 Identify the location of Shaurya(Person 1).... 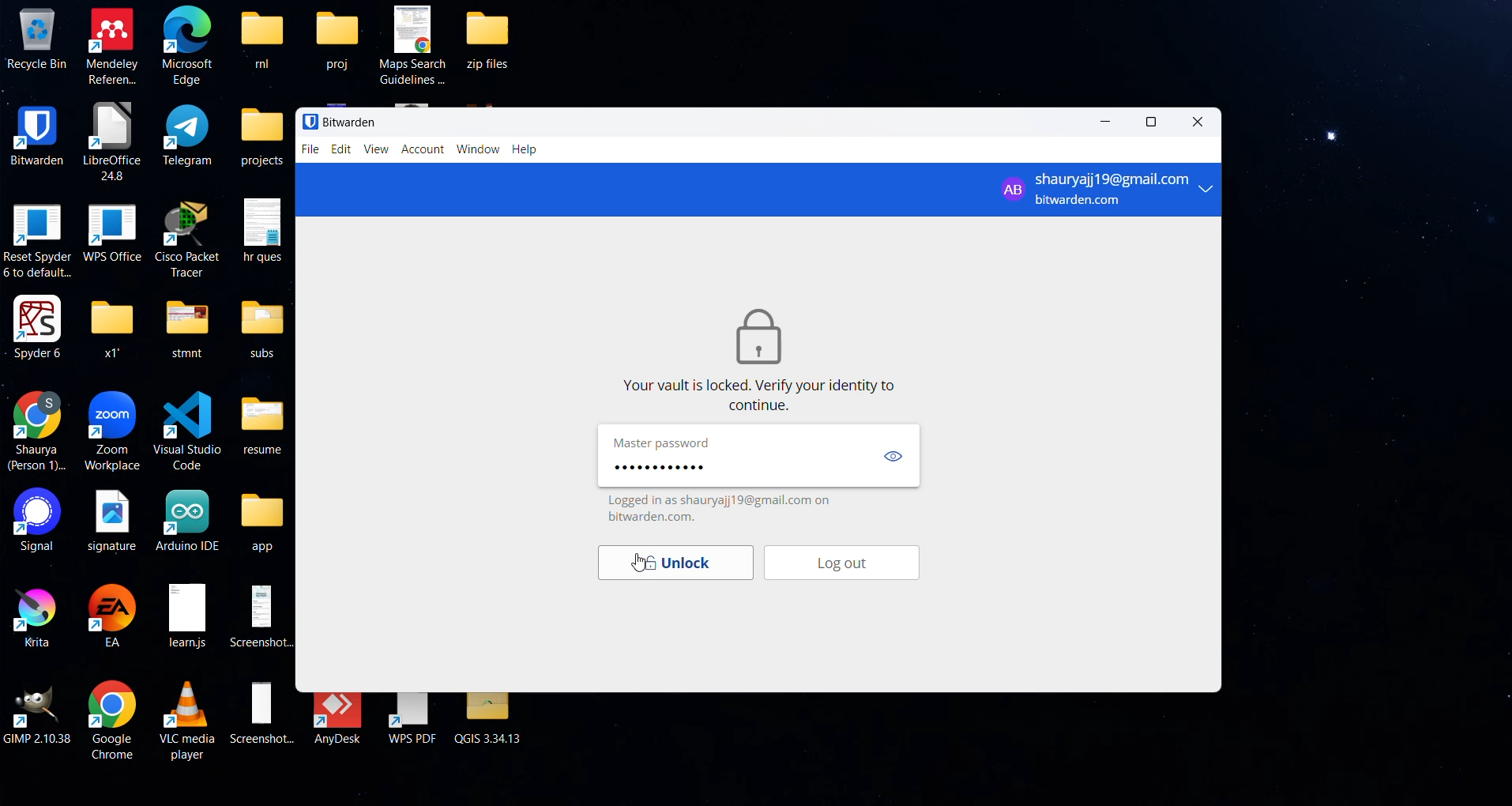
(38, 431).